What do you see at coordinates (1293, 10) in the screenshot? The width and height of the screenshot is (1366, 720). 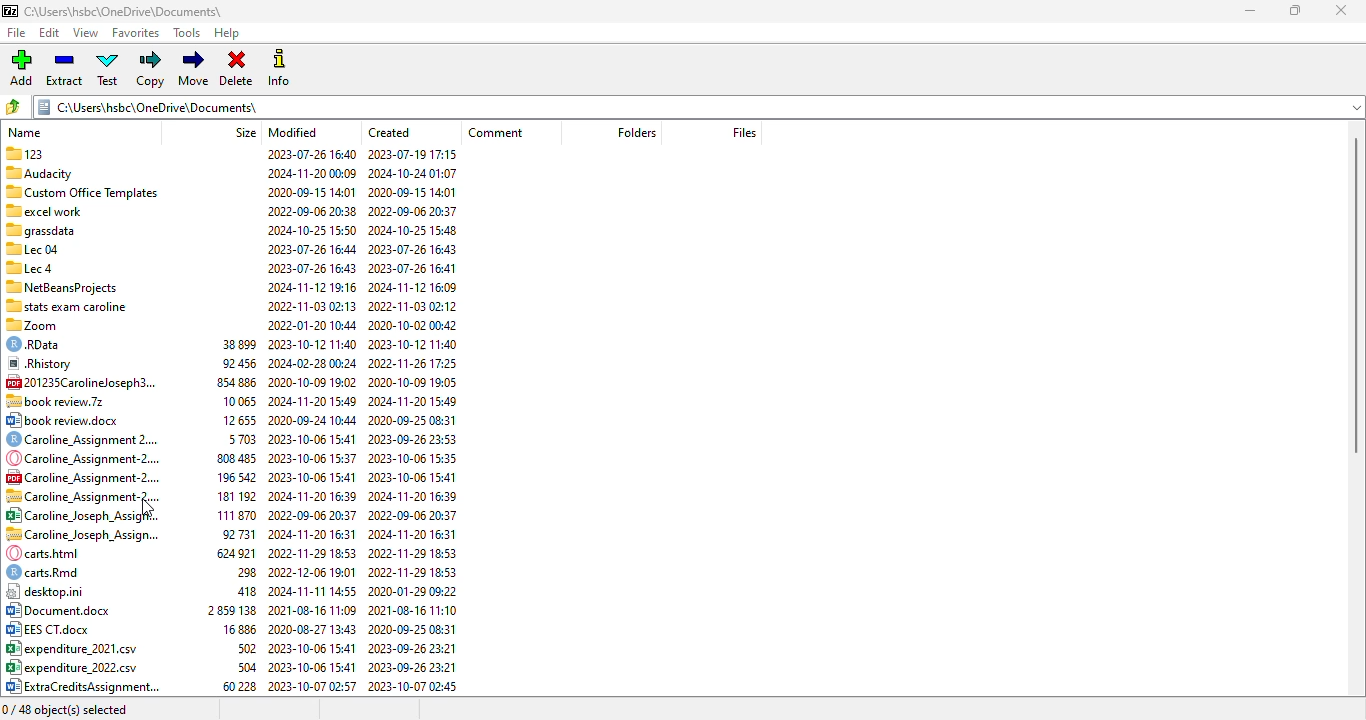 I see `maximize` at bounding box center [1293, 10].